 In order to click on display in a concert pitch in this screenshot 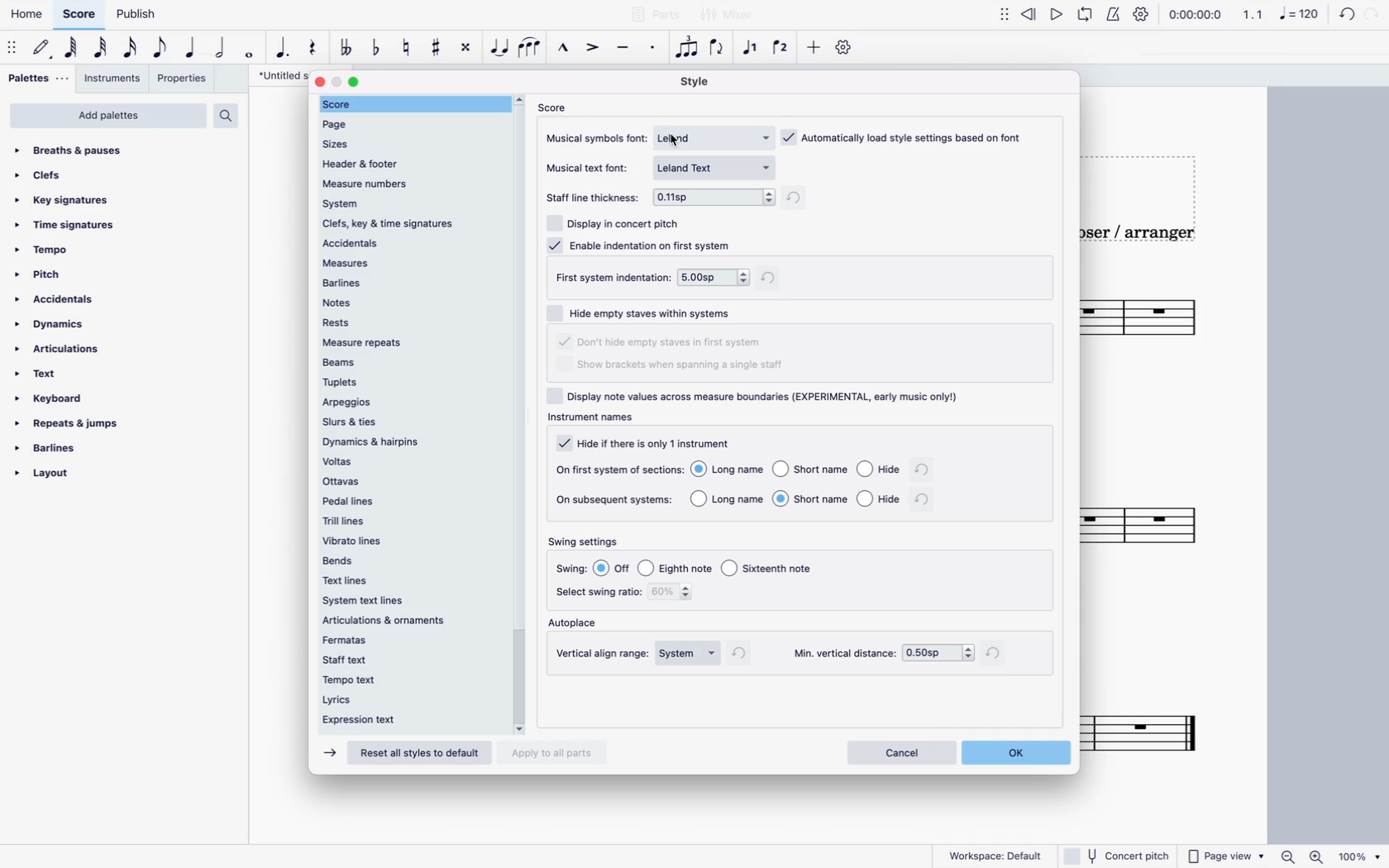, I will do `click(615, 221)`.